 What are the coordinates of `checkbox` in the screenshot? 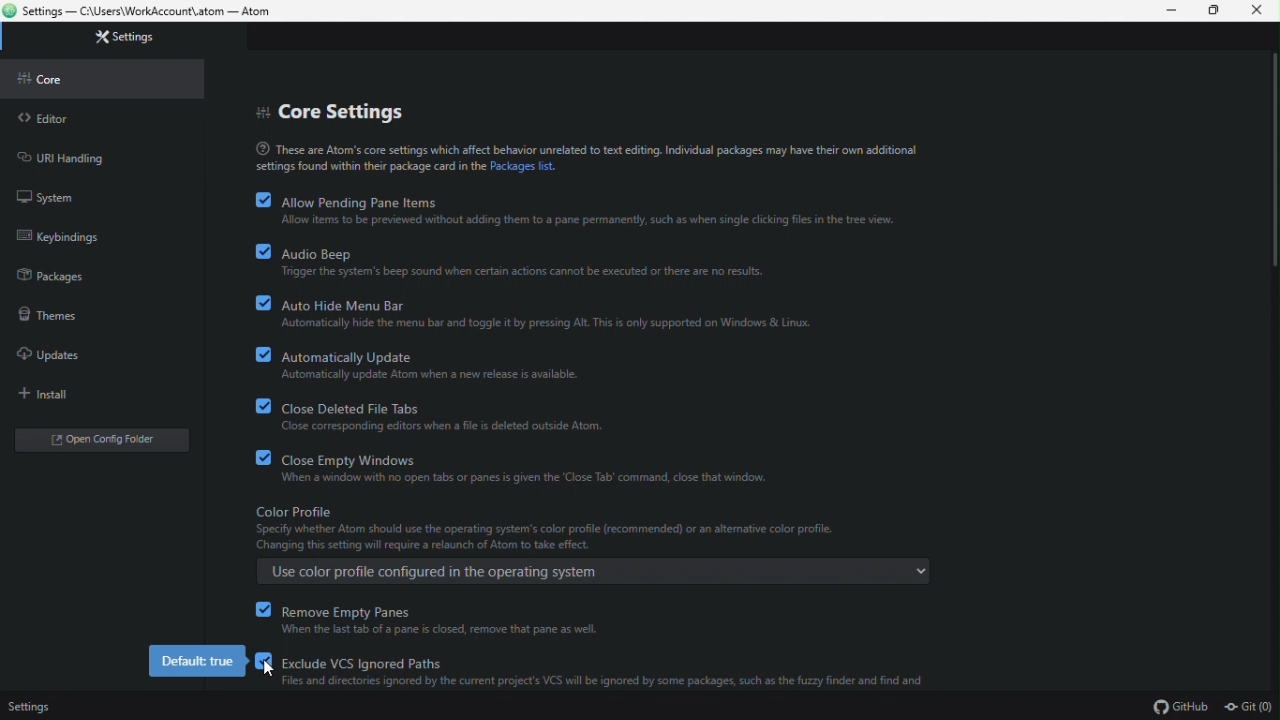 It's located at (263, 201).